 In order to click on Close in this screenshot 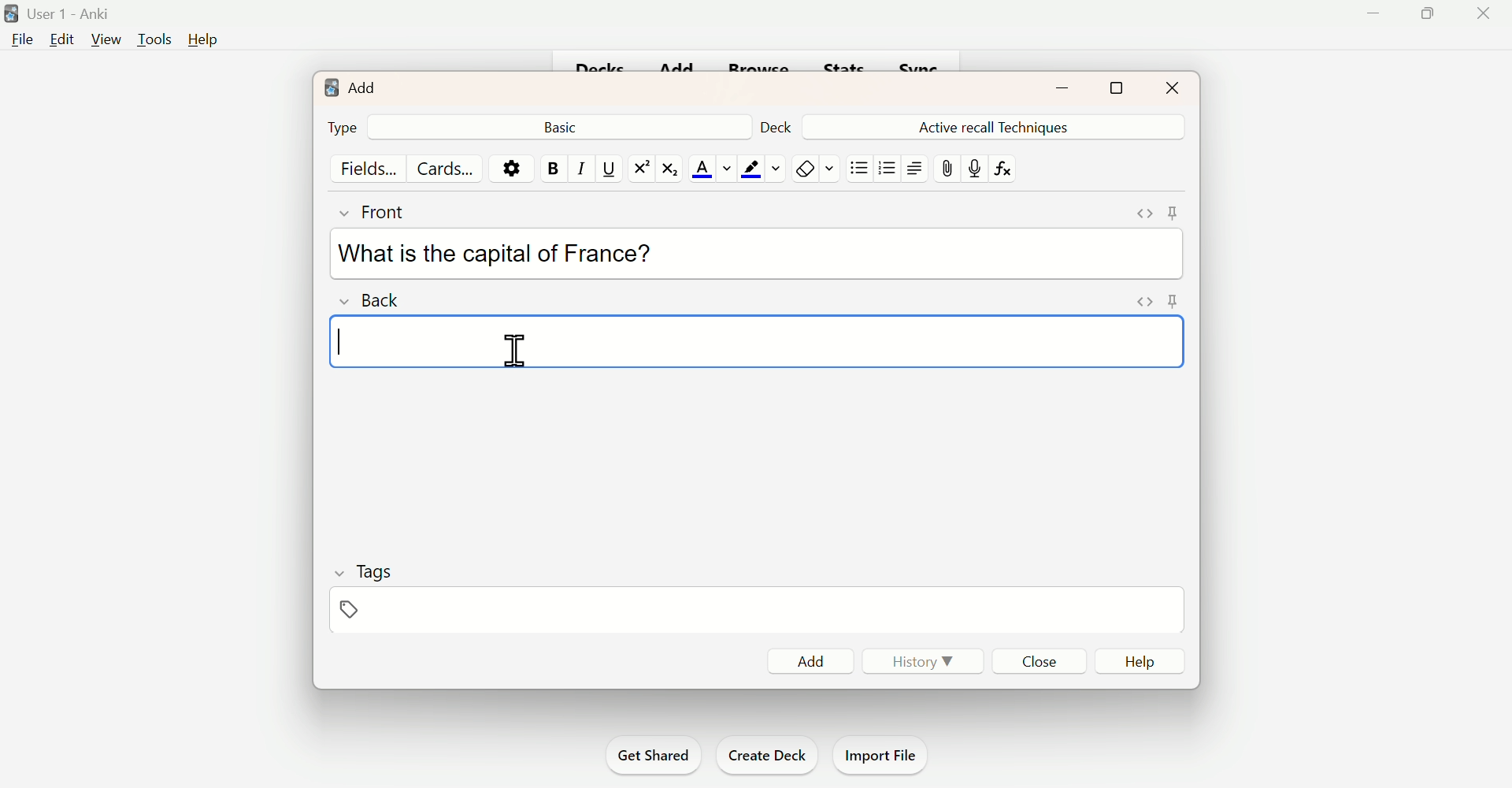, I will do `click(1043, 663)`.